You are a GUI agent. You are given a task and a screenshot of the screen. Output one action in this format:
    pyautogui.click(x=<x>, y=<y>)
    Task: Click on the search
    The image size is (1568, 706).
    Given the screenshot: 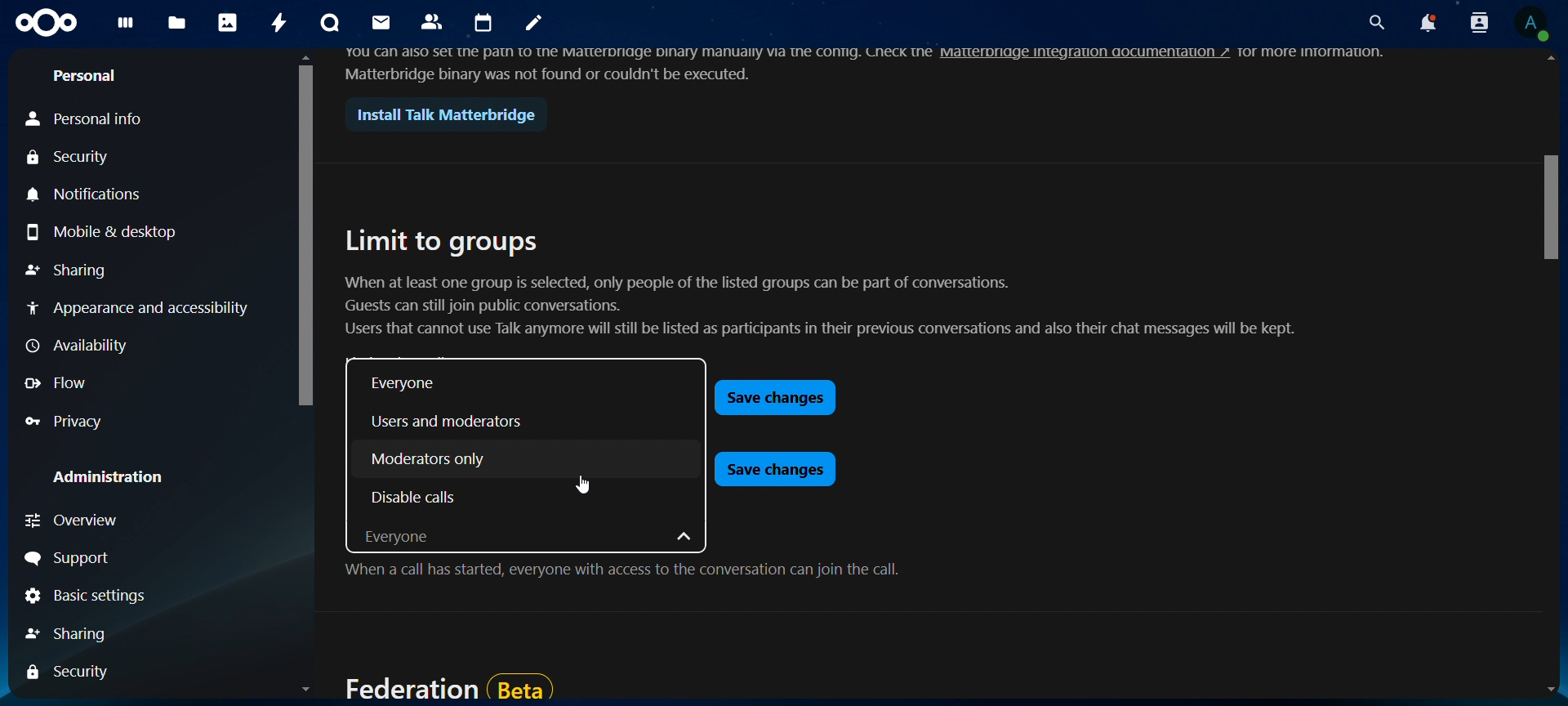 What is the action you would take?
    pyautogui.click(x=1375, y=20)
    